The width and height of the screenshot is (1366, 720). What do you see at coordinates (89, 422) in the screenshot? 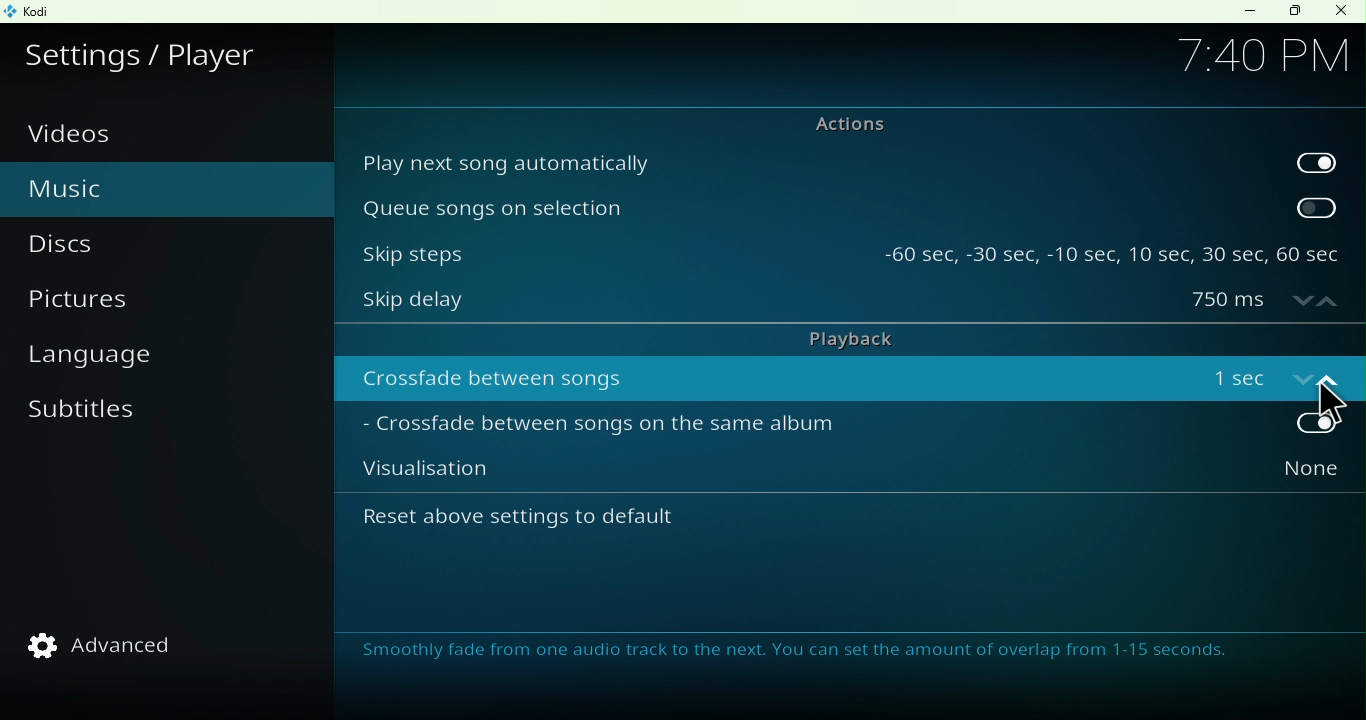
I see `Subtitles` at bounding box center [89, 422].